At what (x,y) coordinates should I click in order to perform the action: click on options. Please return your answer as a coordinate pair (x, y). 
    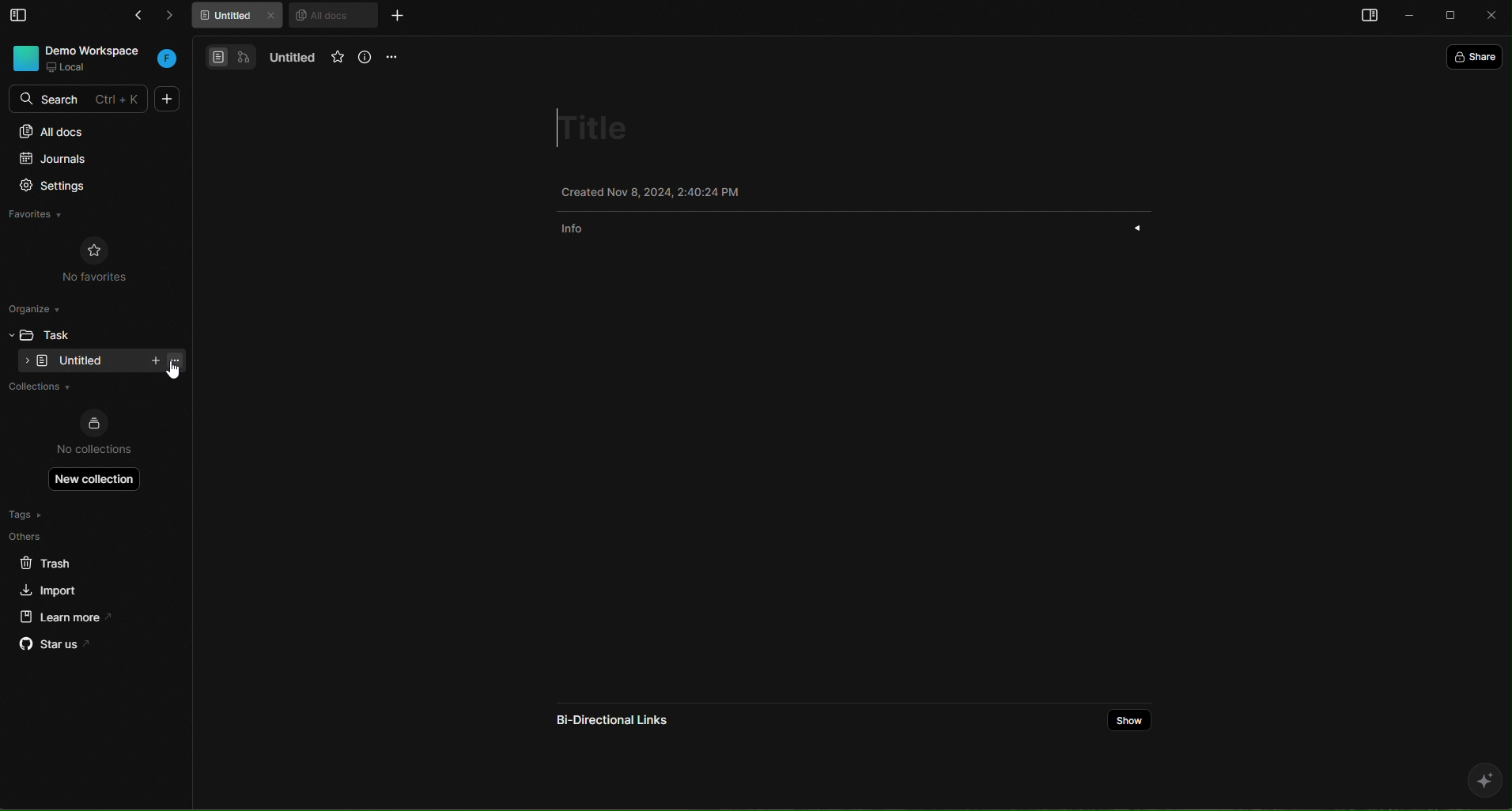
    Looking at the image, I should click on (395, 56).